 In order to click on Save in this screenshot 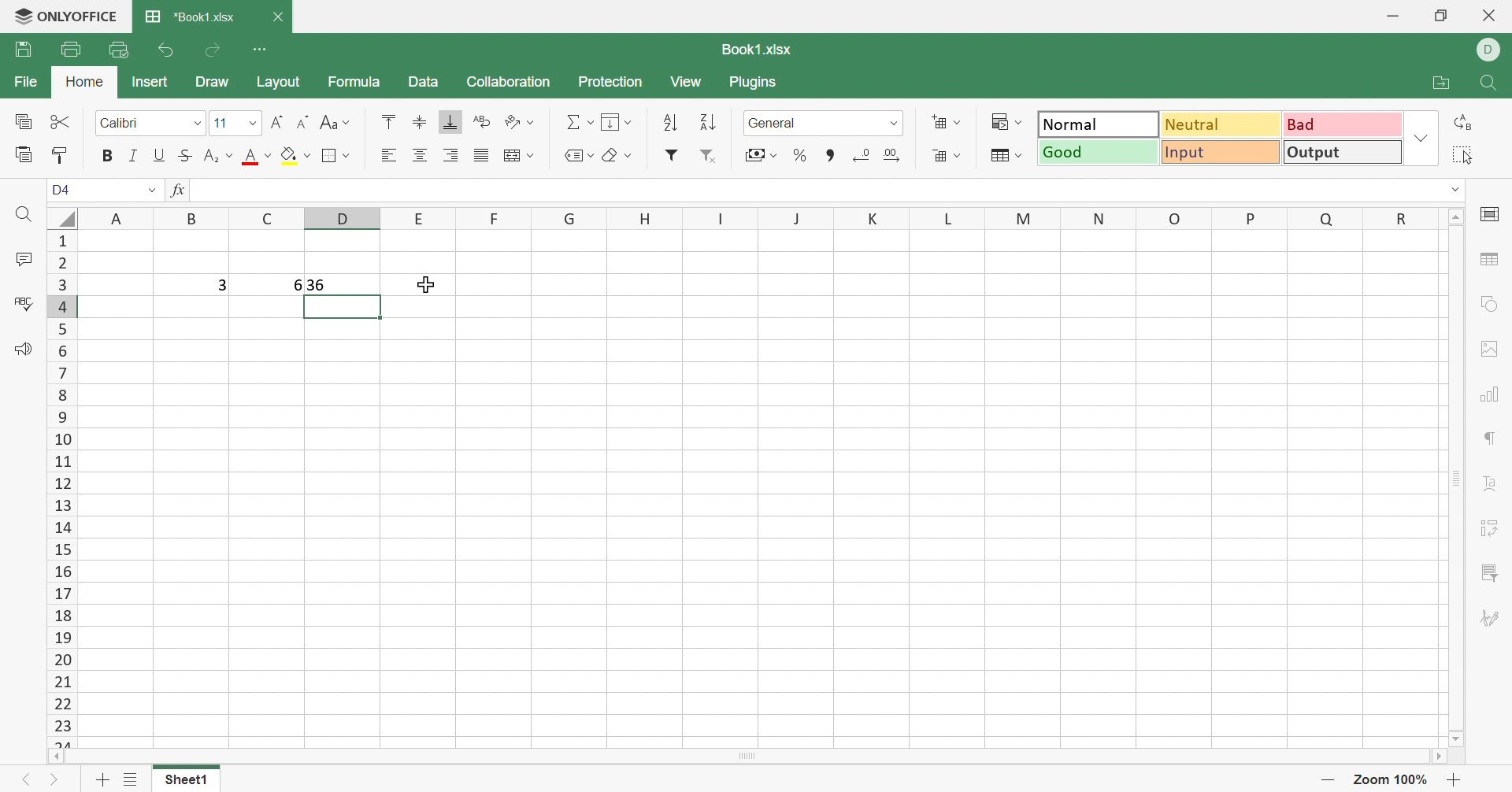, I will do `click(21, 50)`.